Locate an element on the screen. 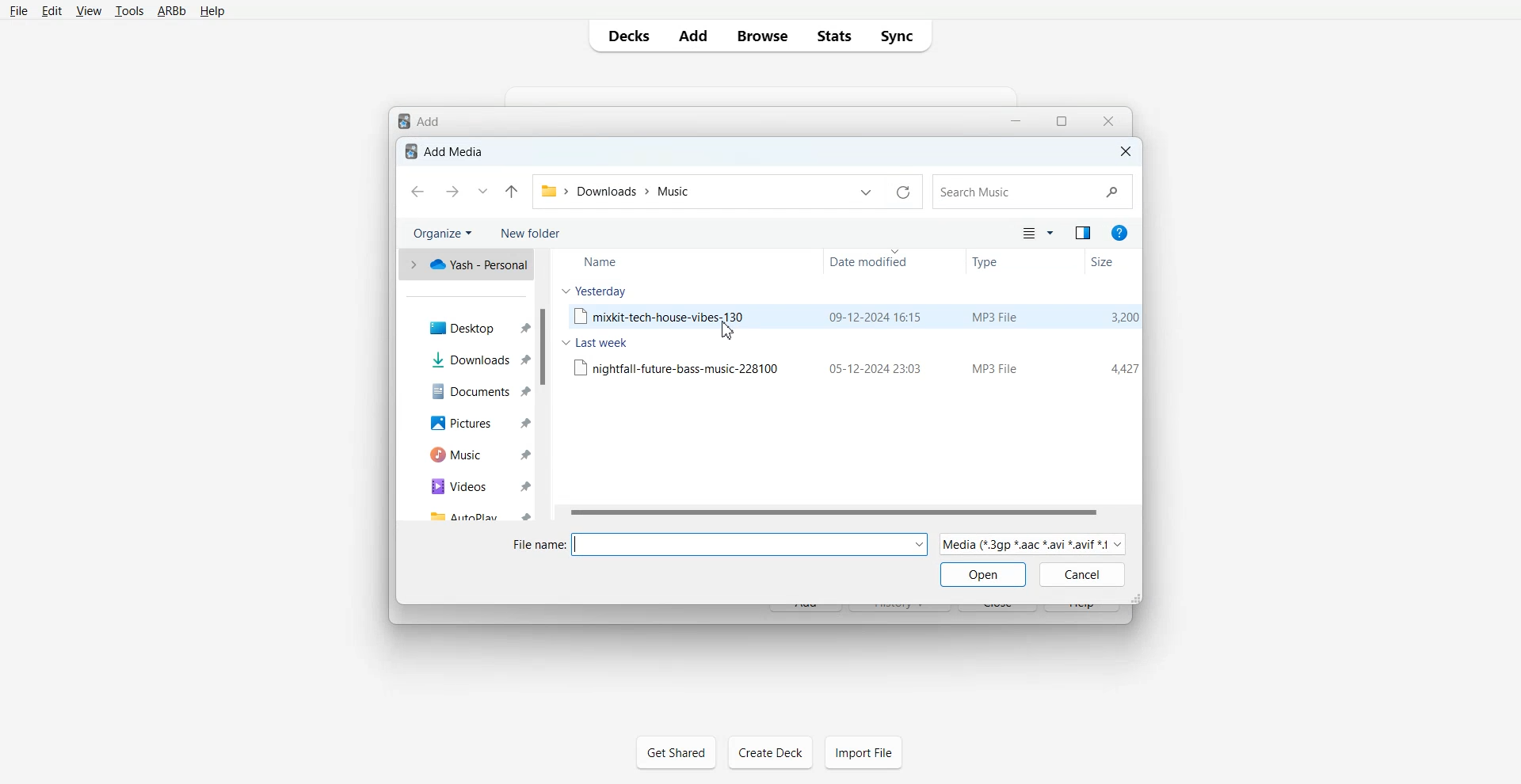  Text is located at coordinates (421, 120).